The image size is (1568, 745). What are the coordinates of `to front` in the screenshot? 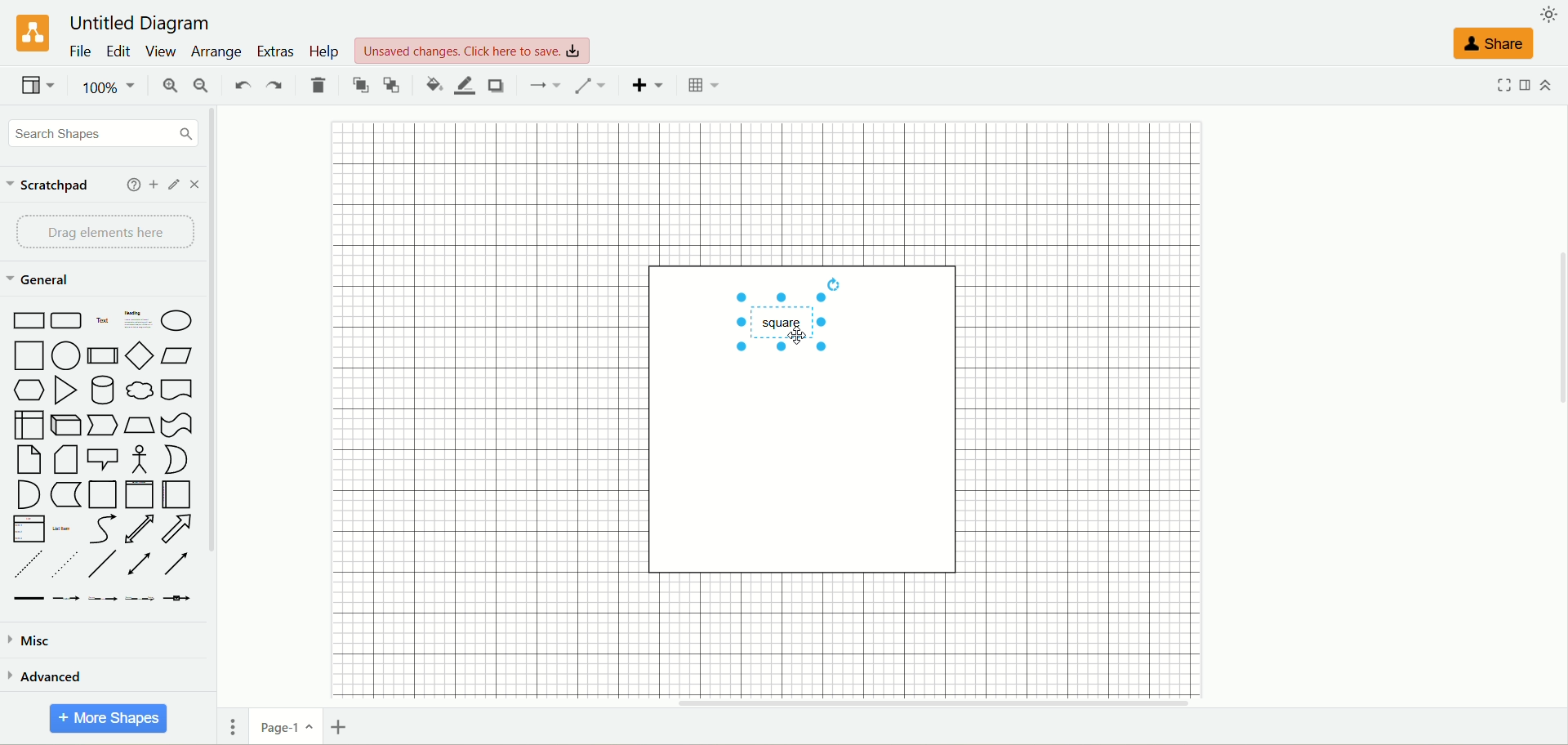 It's located at (361, 85).